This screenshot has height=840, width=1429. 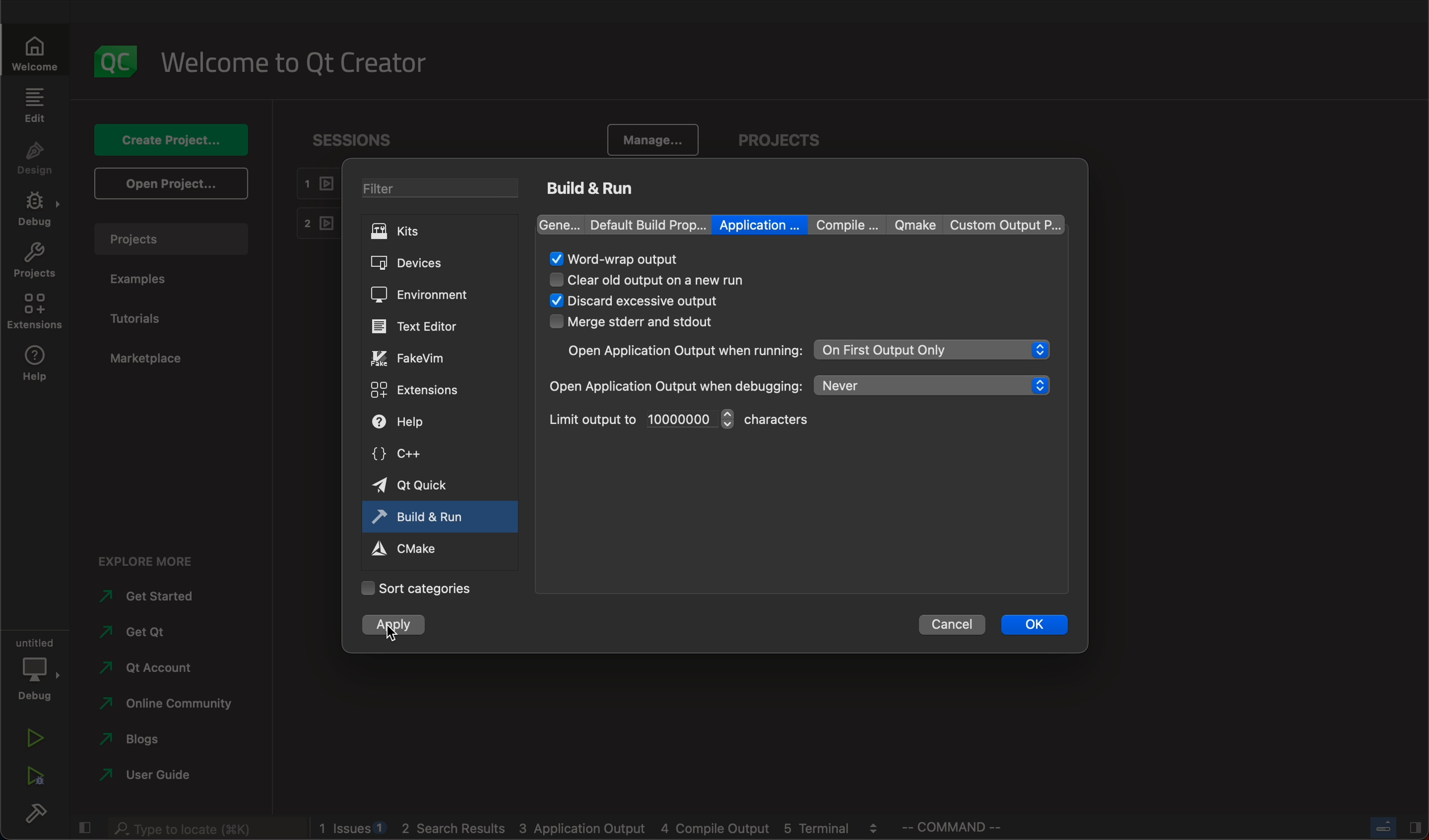 What do you see at coordinates (424, 587) in the screenshot?
I see `Categories` at bounding box center [424, 587].